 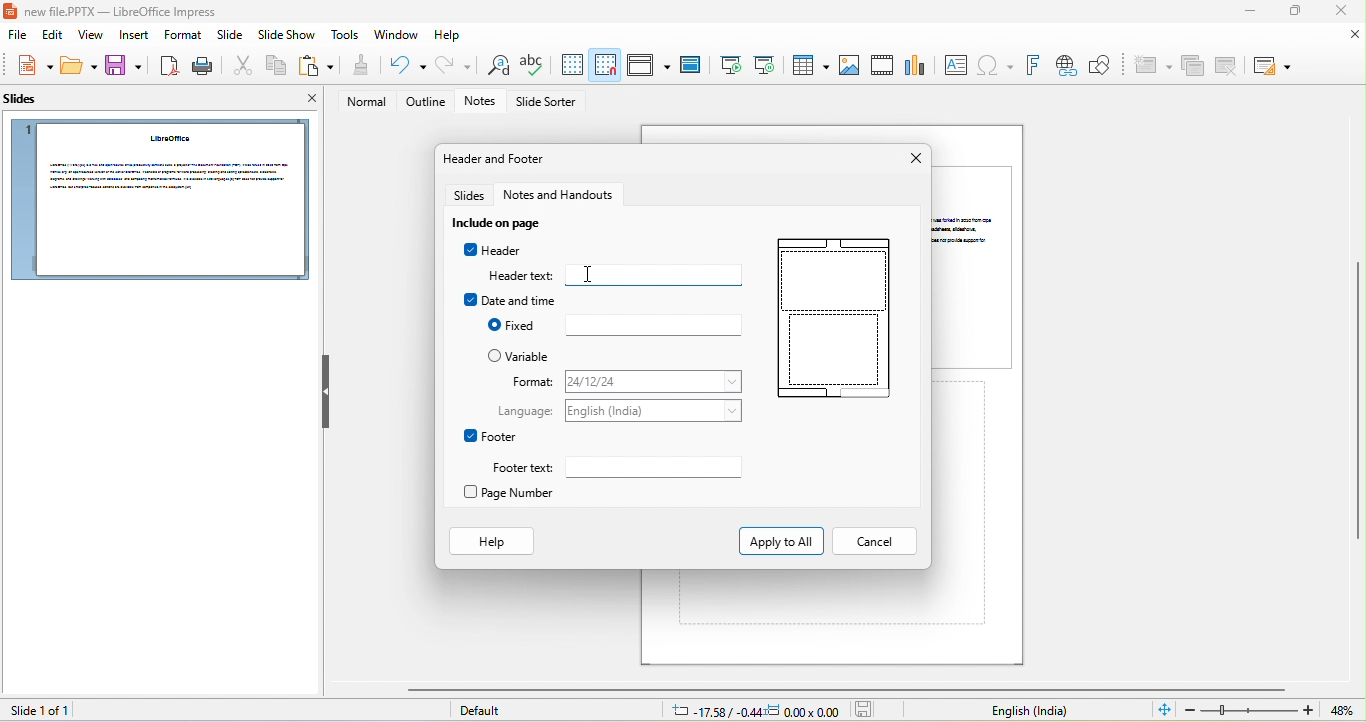 I want to click on click here to add notes, so click(x=962, y=504).